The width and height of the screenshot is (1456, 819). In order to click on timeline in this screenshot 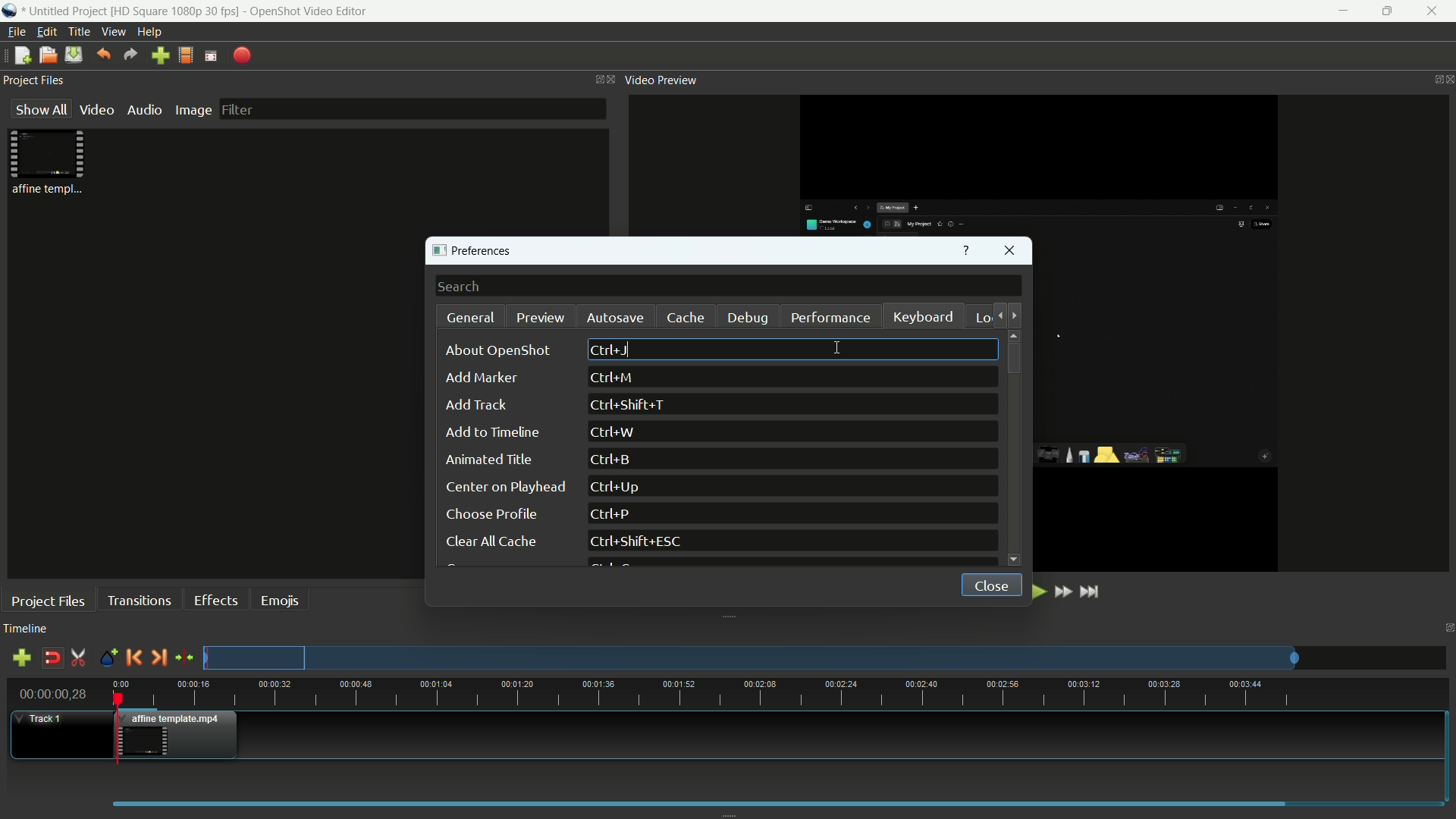, I will do `click(26, 629)`.